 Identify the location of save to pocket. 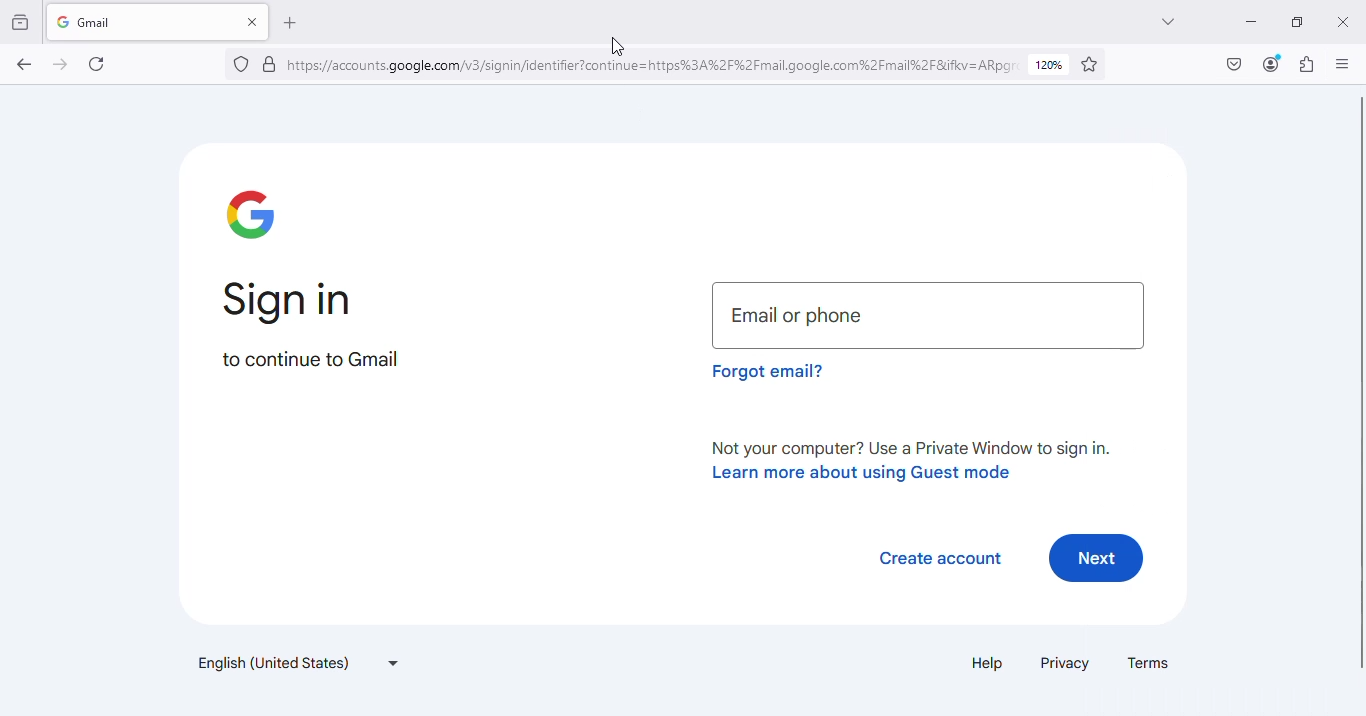
(1235, 64).